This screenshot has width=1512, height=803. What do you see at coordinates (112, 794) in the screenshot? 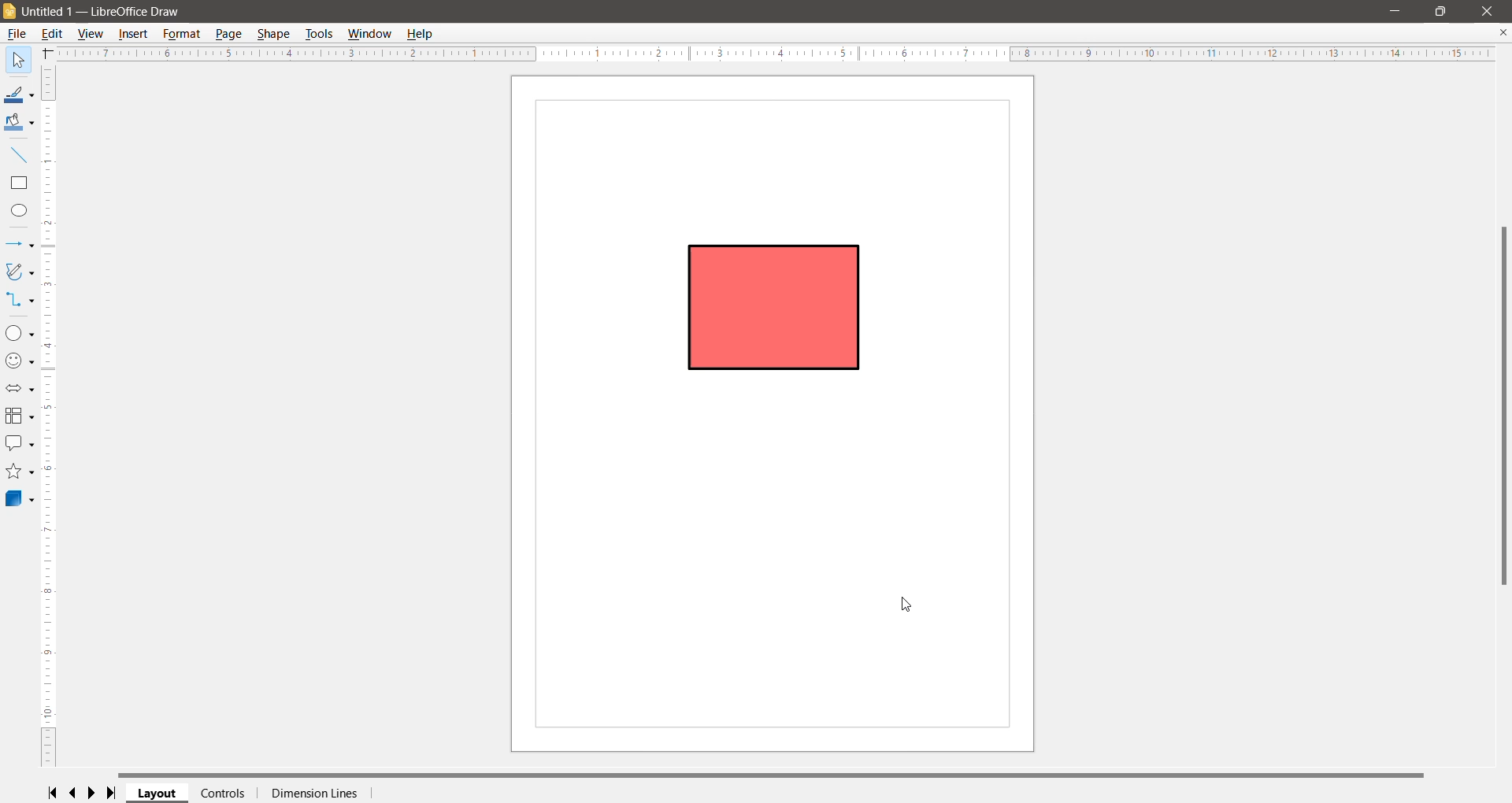
I see `Scroll to last page` at bounding box center [112, 794].